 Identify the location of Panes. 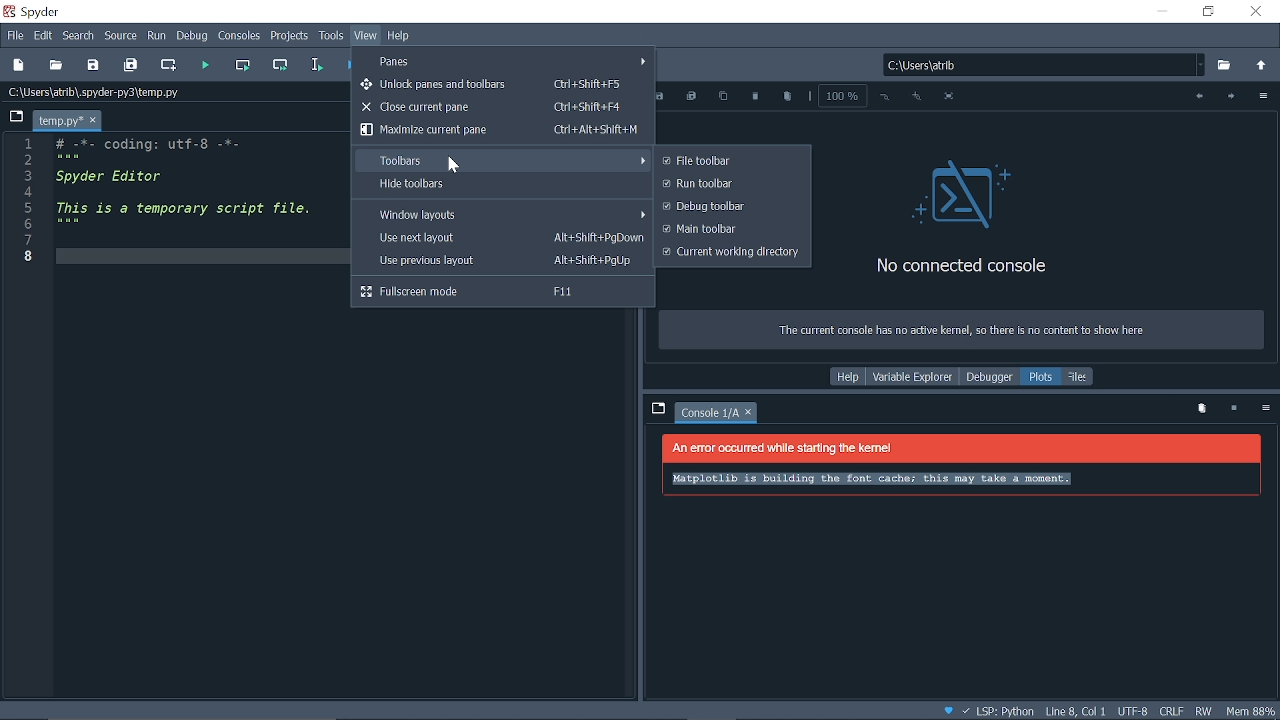
(511, 60).